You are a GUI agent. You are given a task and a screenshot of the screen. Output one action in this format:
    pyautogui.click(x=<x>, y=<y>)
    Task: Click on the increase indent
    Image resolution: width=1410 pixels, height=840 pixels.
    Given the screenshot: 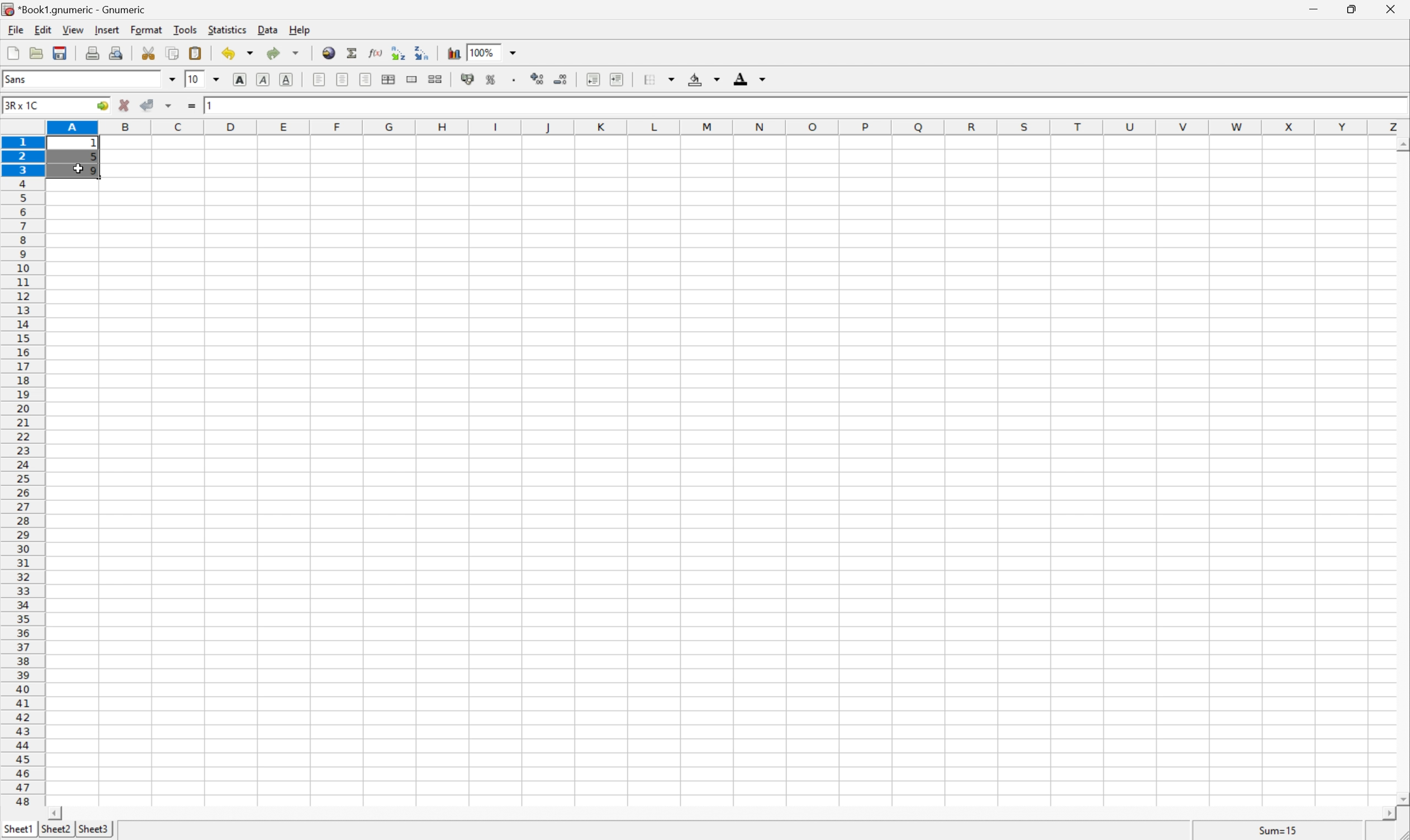 What is the action you would take?
    pyautogui.click(x=618, y=79)
    